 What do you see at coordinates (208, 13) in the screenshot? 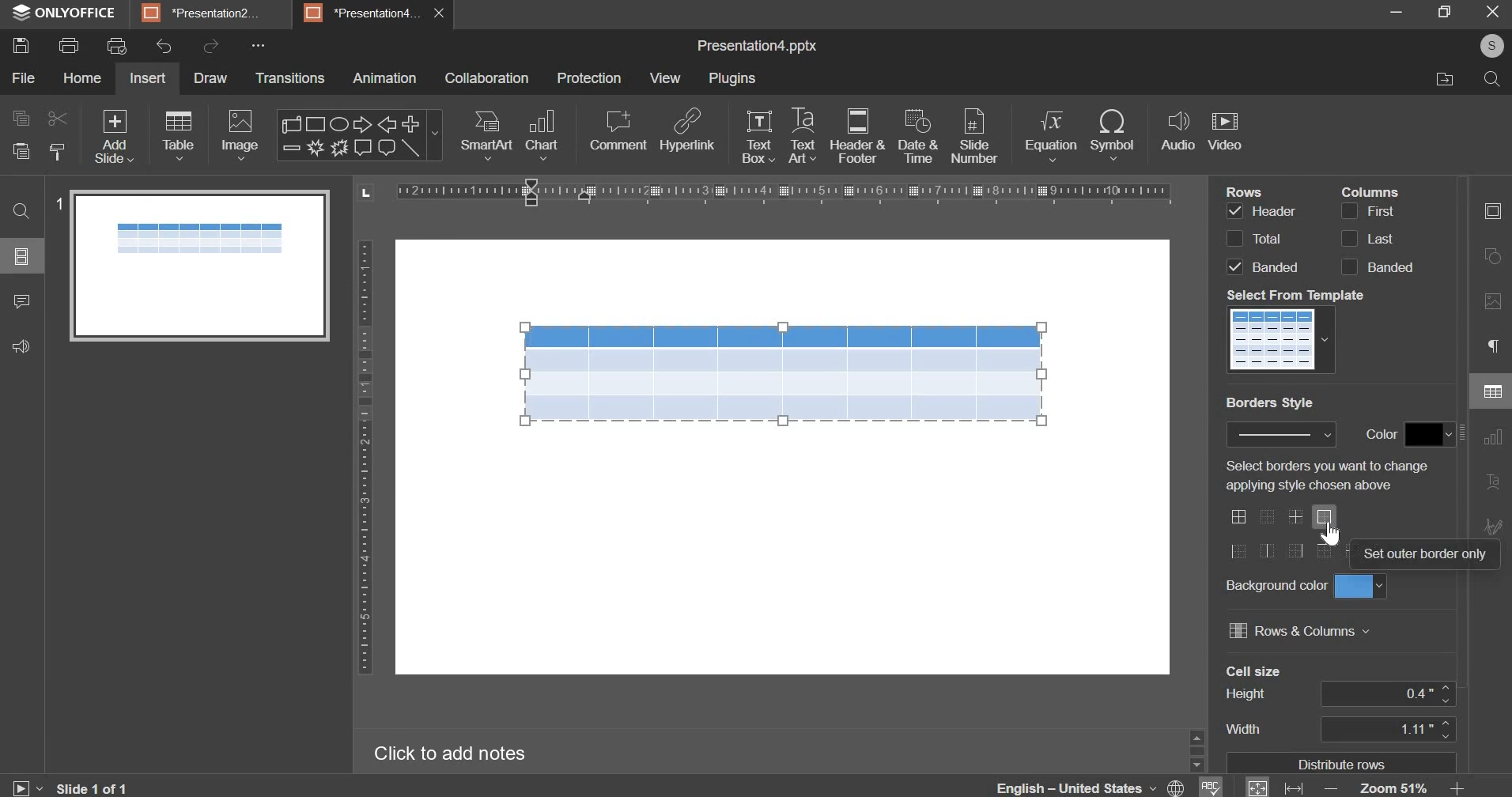
I see `*Presentation2...` at bounding box center [208, 13].